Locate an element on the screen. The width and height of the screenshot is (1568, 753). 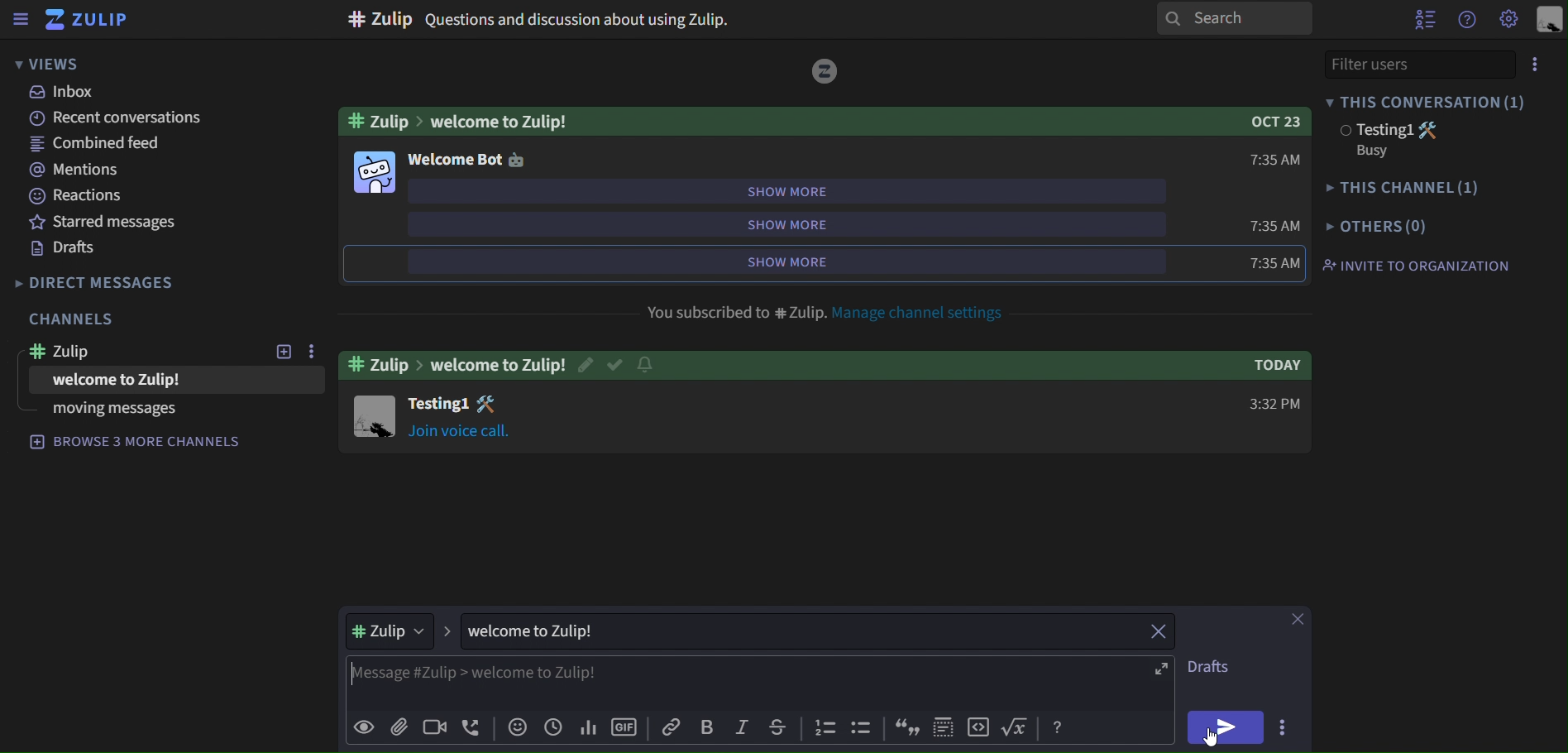
Image is located at coordinates (368, 417).